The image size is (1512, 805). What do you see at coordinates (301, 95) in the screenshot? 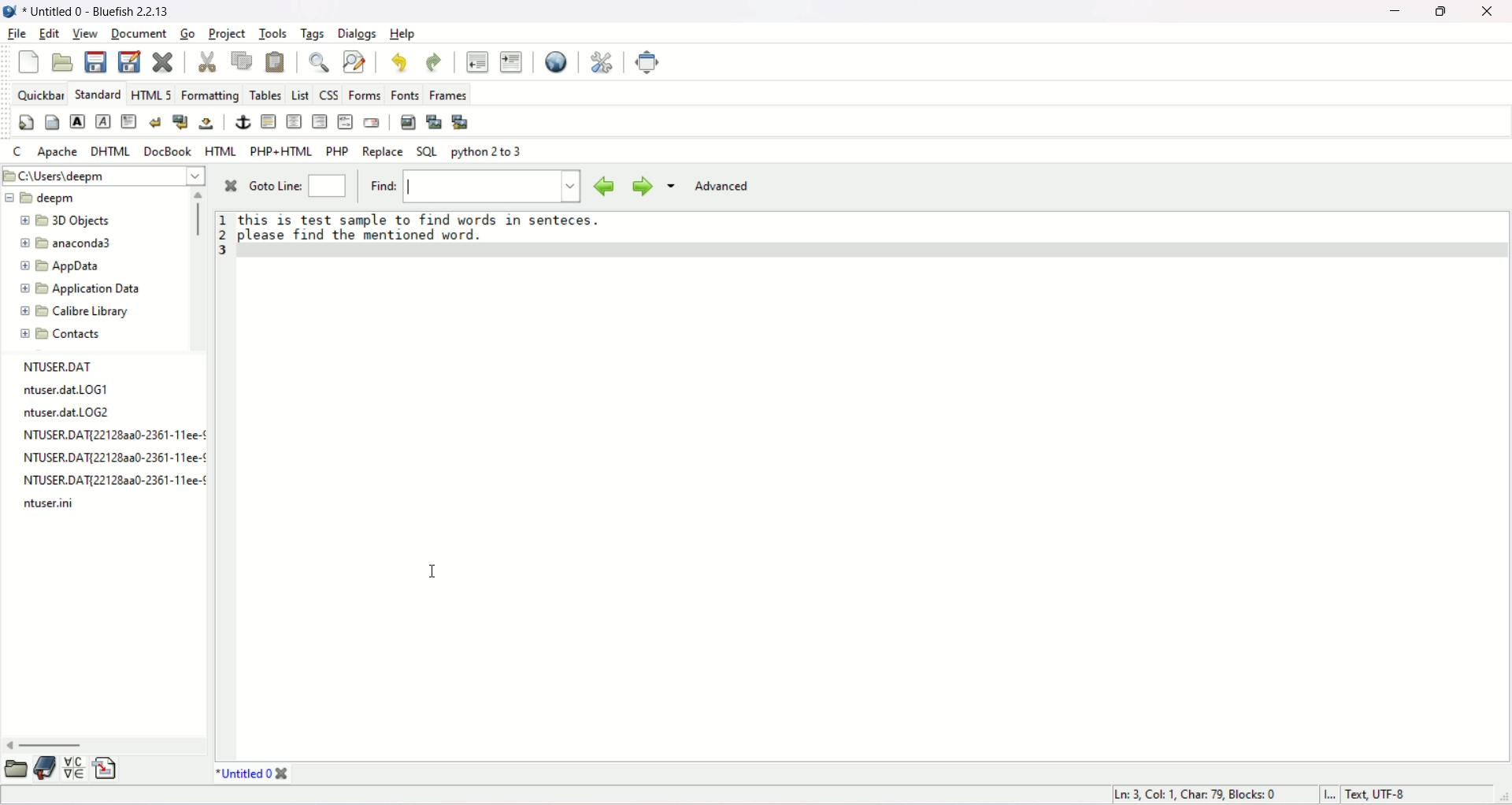
I see `LIST` at bounding box center [301, 95].